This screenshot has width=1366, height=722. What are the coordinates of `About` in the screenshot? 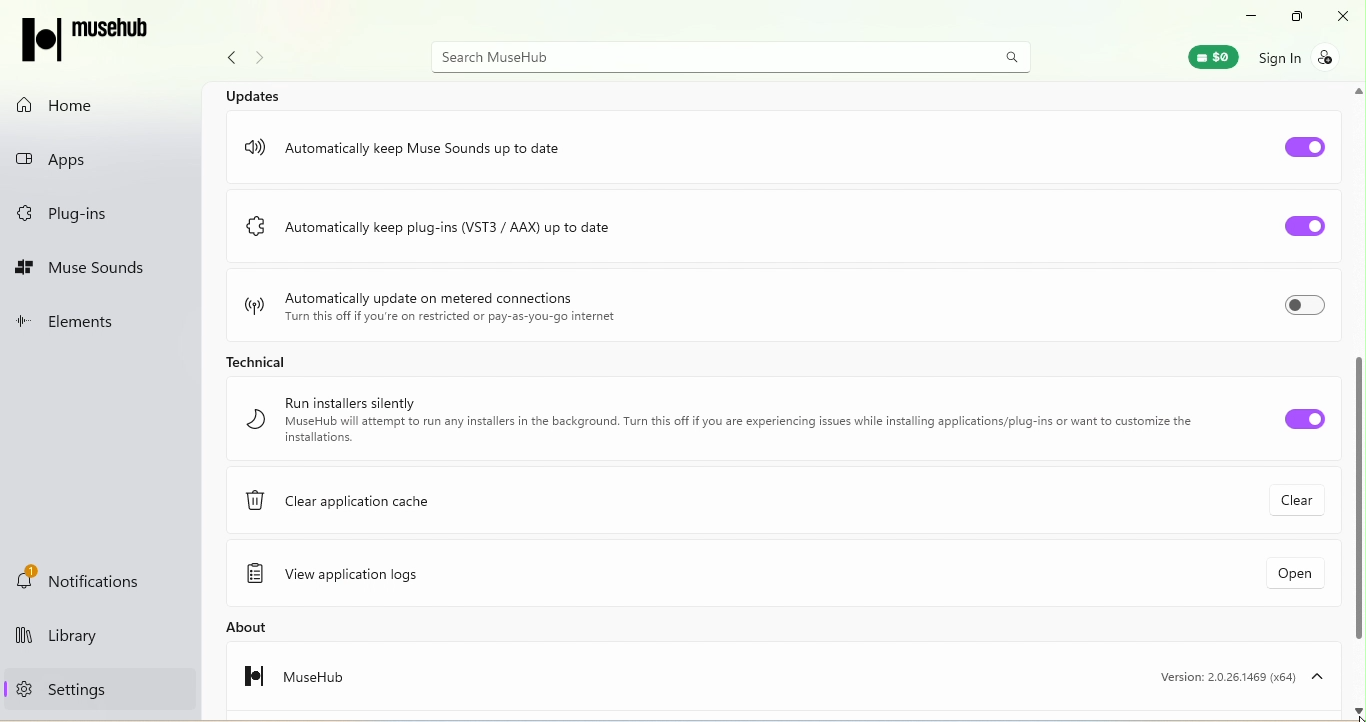 It's located at (279, 627).